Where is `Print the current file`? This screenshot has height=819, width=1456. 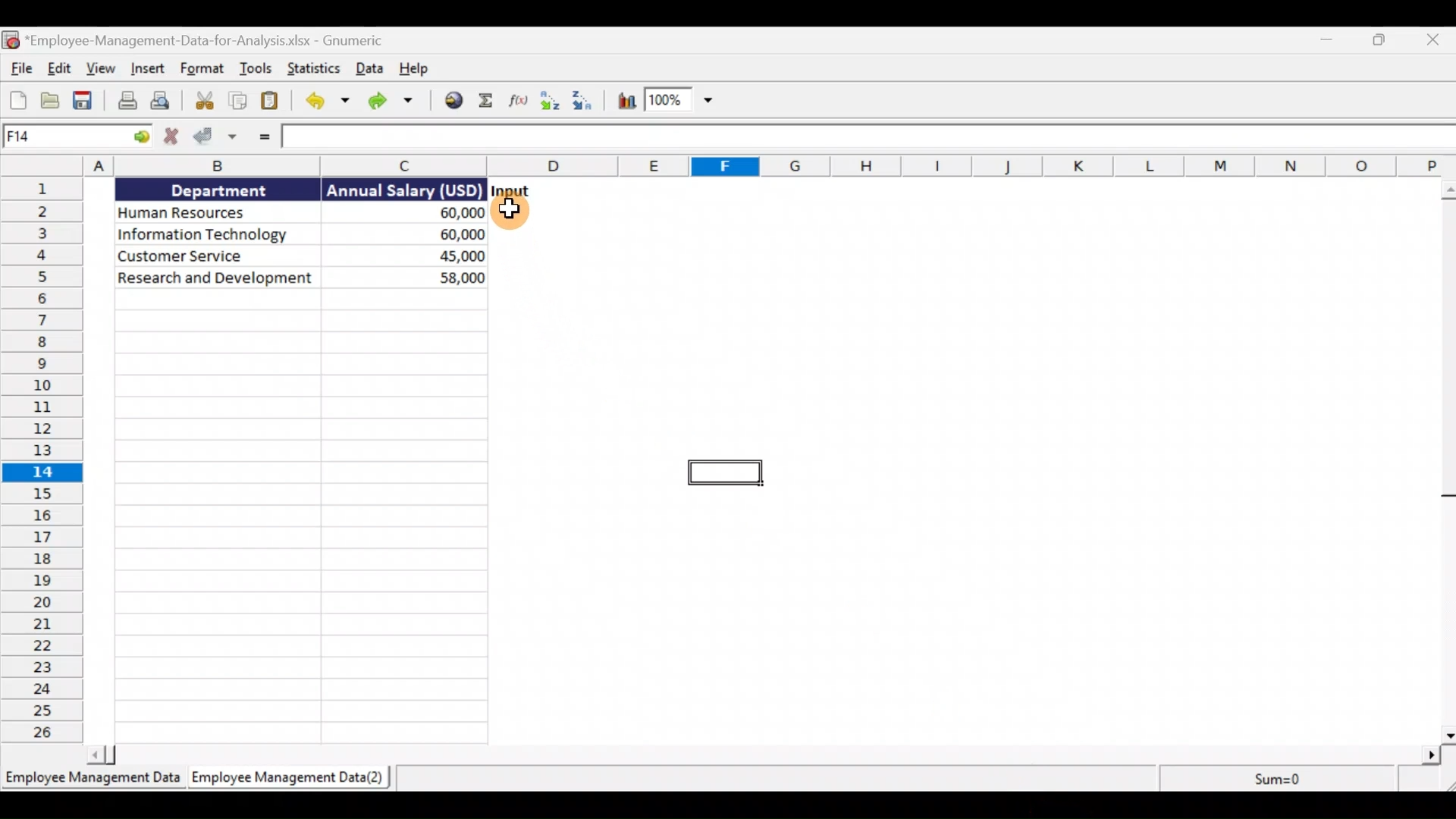
Print the current file is located at coordinates (125, 102).